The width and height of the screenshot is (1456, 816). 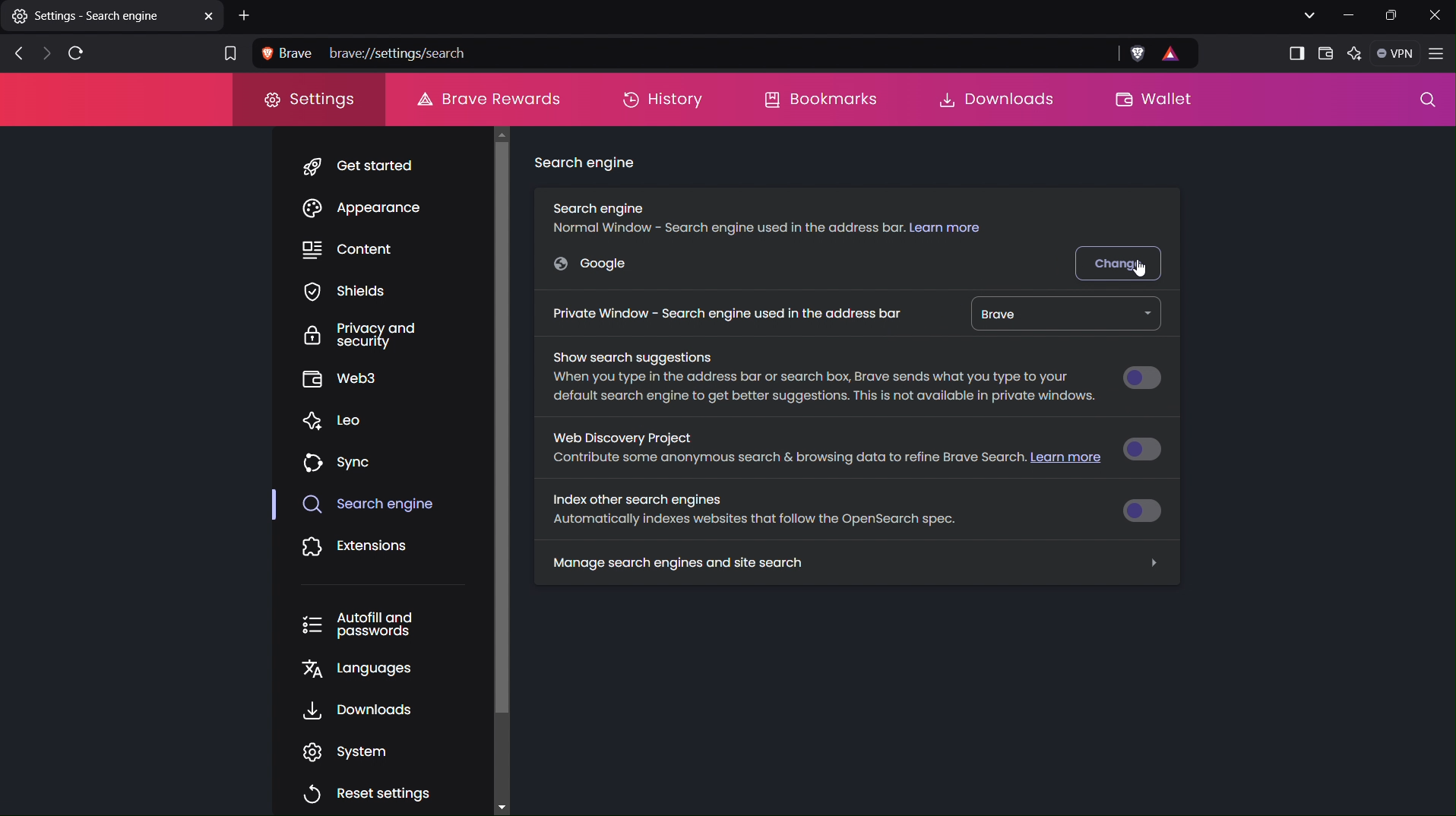 I want to click on Reset settings, so click(x=368, y=792).